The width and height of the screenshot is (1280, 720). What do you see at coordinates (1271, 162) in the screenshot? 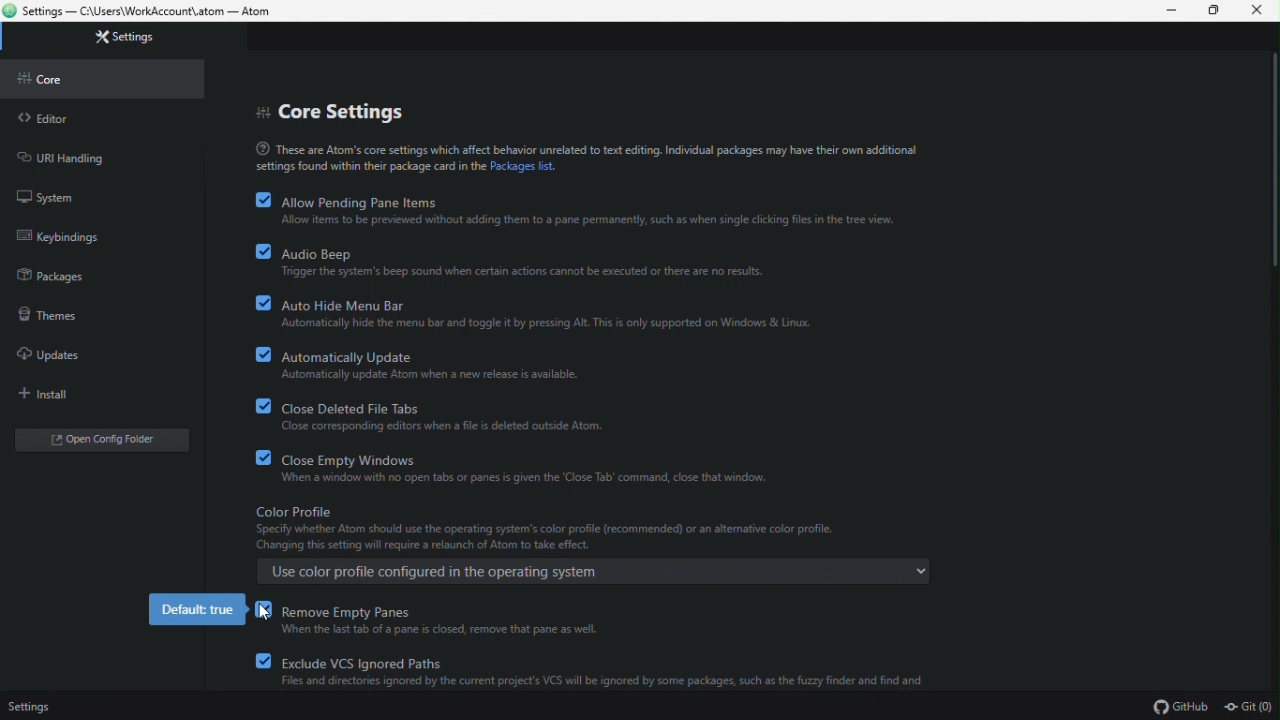
I see `scroll bar` at bounding box center [1271, 162].